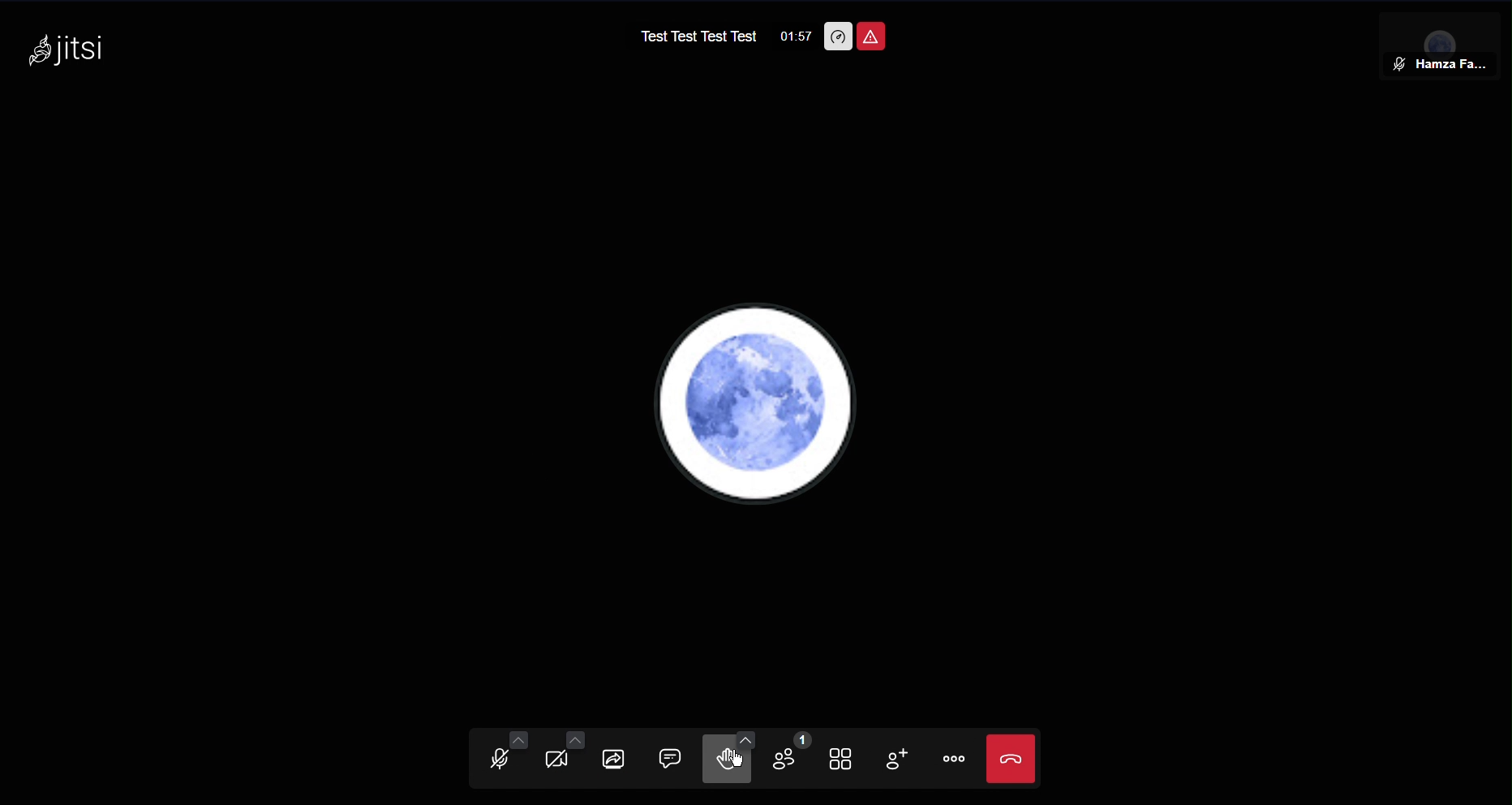 The image size is (1512, 805). What do you see at coordinates (672, 756) in the screenshot?
I see `Chat` at bounding box center [672, 756].